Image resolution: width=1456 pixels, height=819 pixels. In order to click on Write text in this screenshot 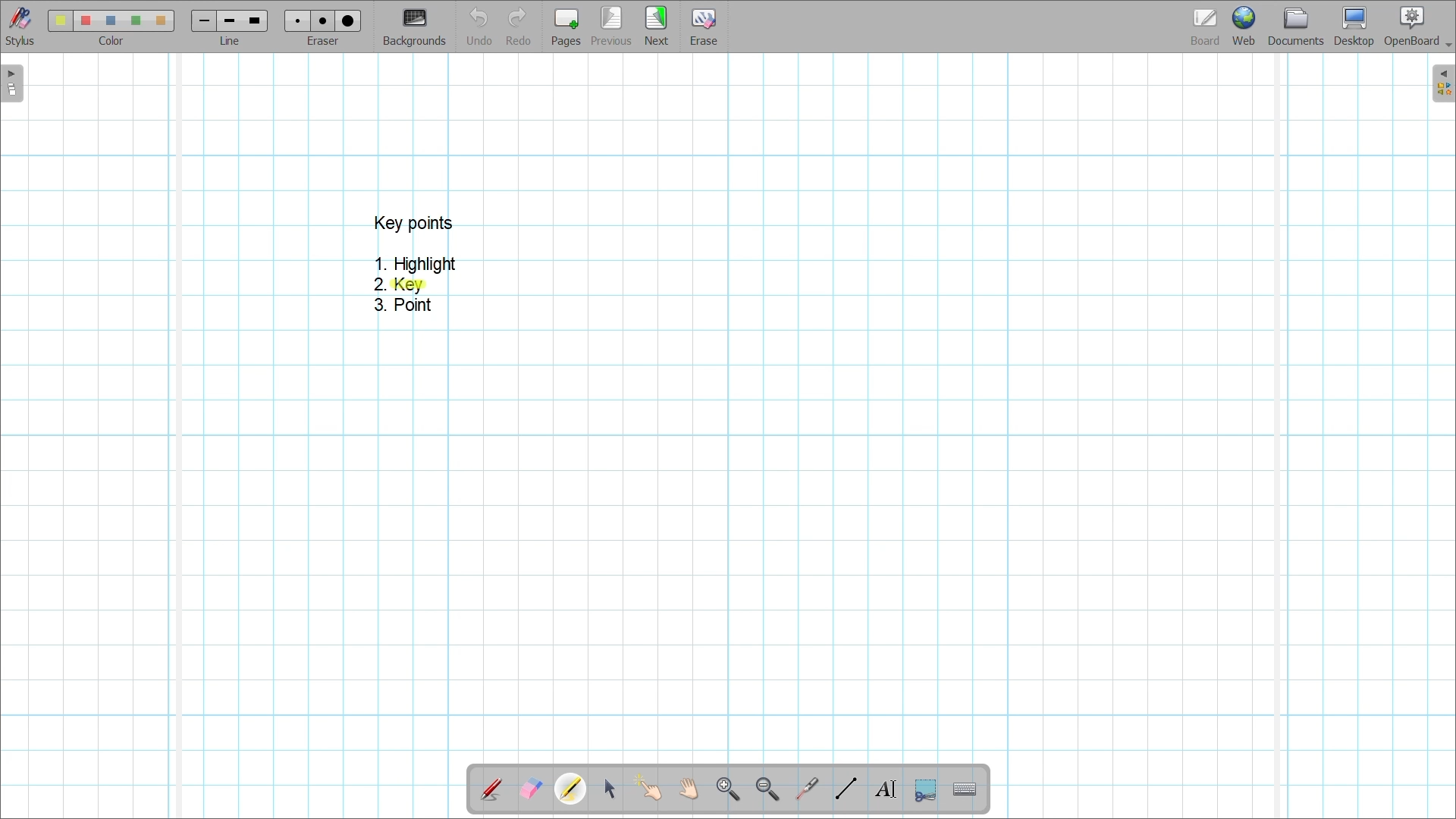, I will do `click(885, 789)`.